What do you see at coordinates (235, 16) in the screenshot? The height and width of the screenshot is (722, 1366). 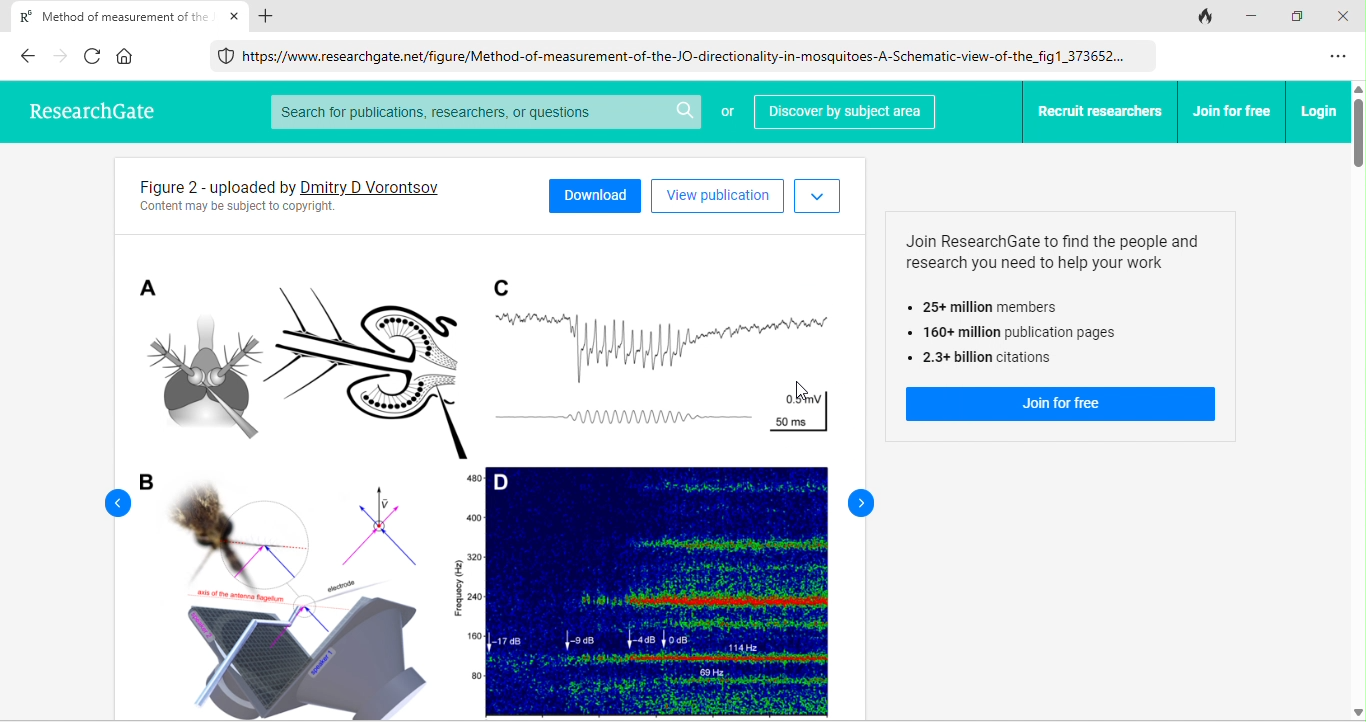 I see `close` at bounding box center [235, 16].